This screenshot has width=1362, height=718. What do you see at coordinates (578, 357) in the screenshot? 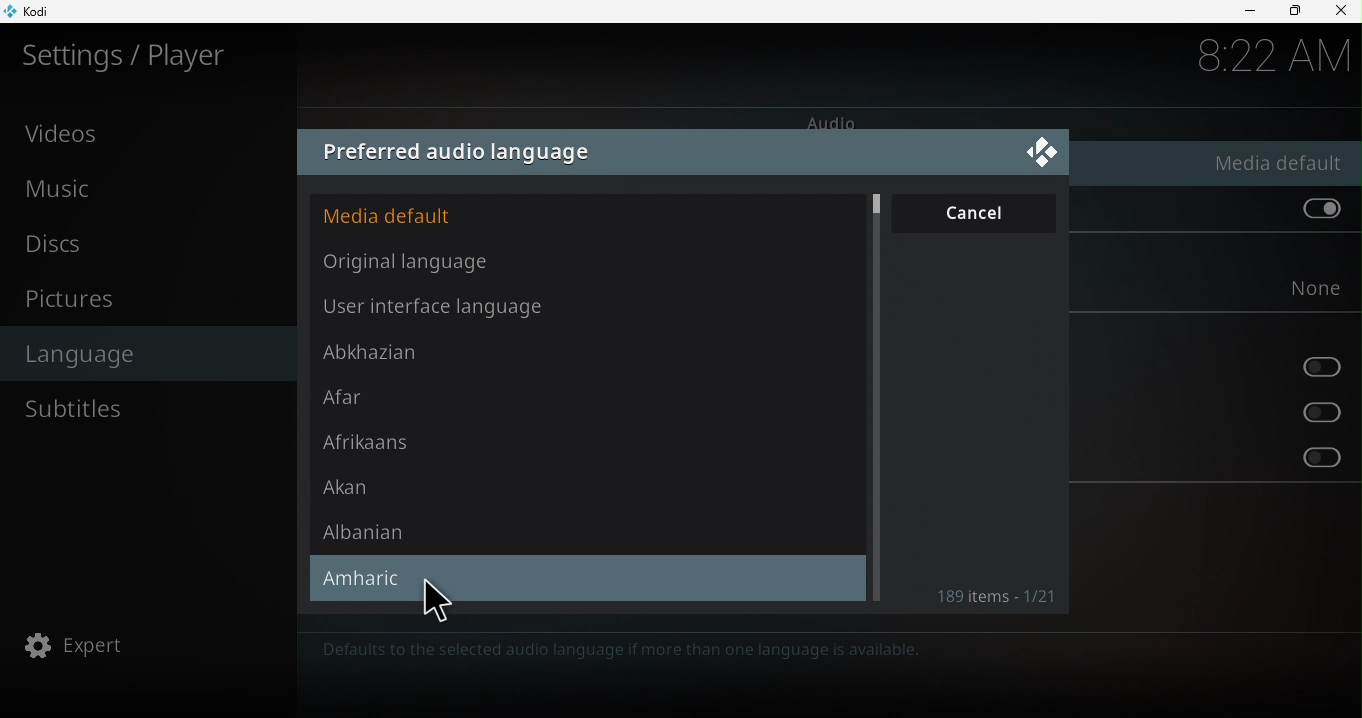
I see `Abkhazian` at bounding box center [578, 357].